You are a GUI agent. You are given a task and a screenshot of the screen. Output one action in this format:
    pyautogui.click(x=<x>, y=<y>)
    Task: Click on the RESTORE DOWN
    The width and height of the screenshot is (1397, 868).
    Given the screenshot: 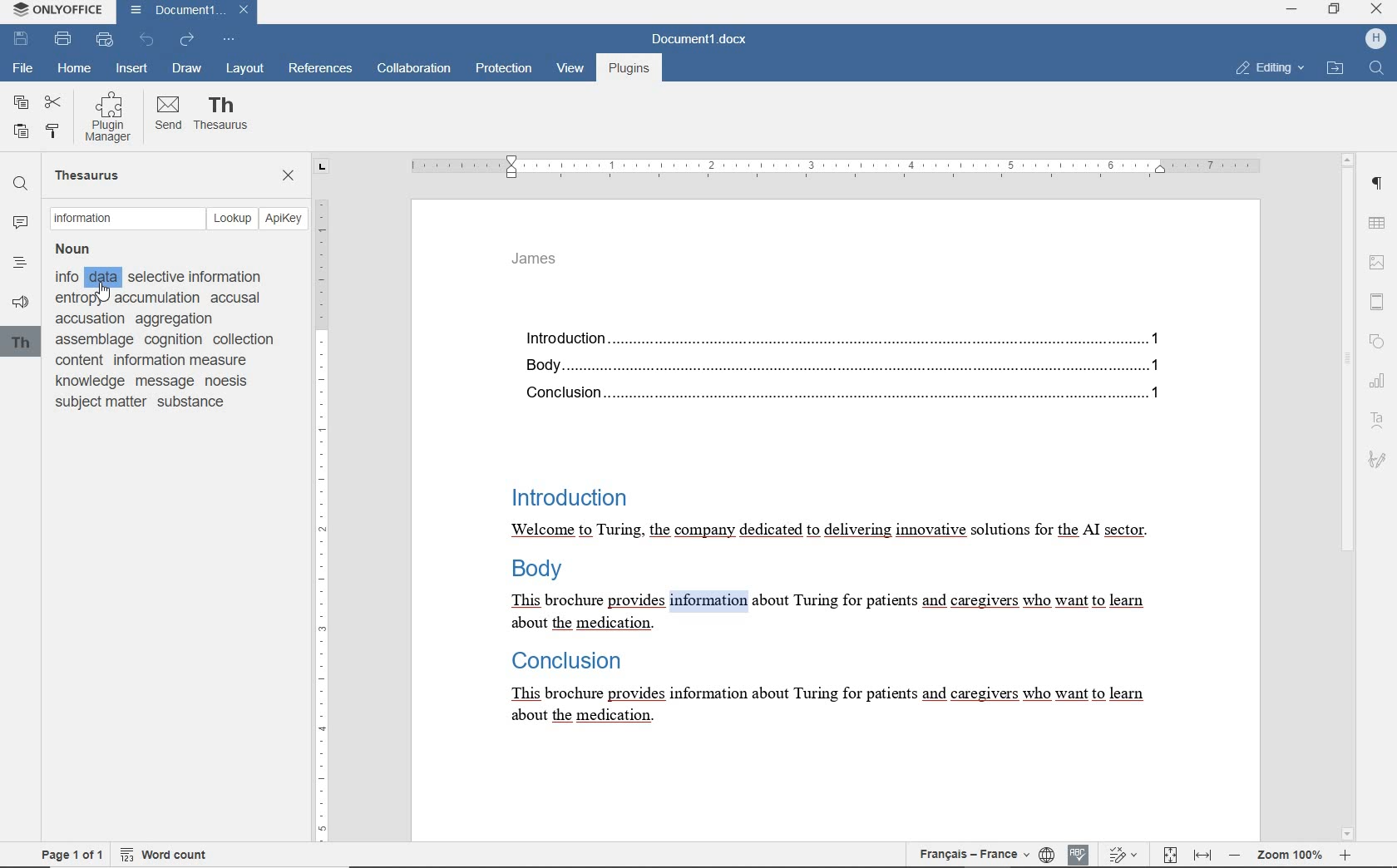 What is the action you would take?
    pyautogui.click(x=1335, y=9)
    